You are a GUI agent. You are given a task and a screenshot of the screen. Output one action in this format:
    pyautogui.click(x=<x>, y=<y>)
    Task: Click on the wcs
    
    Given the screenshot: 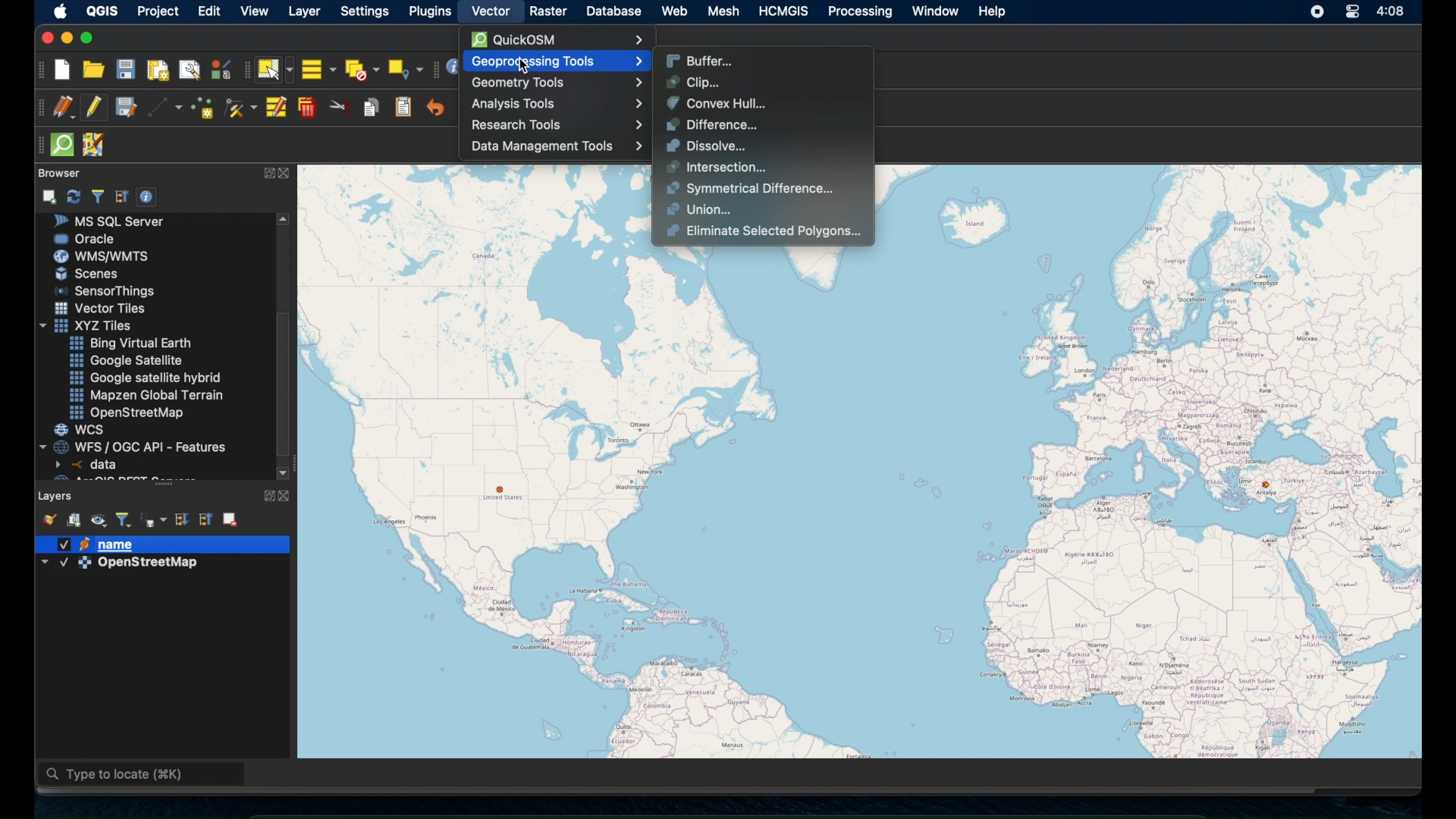 What is the action you would take?
    pyautogui.click(x=81, y=430)
    